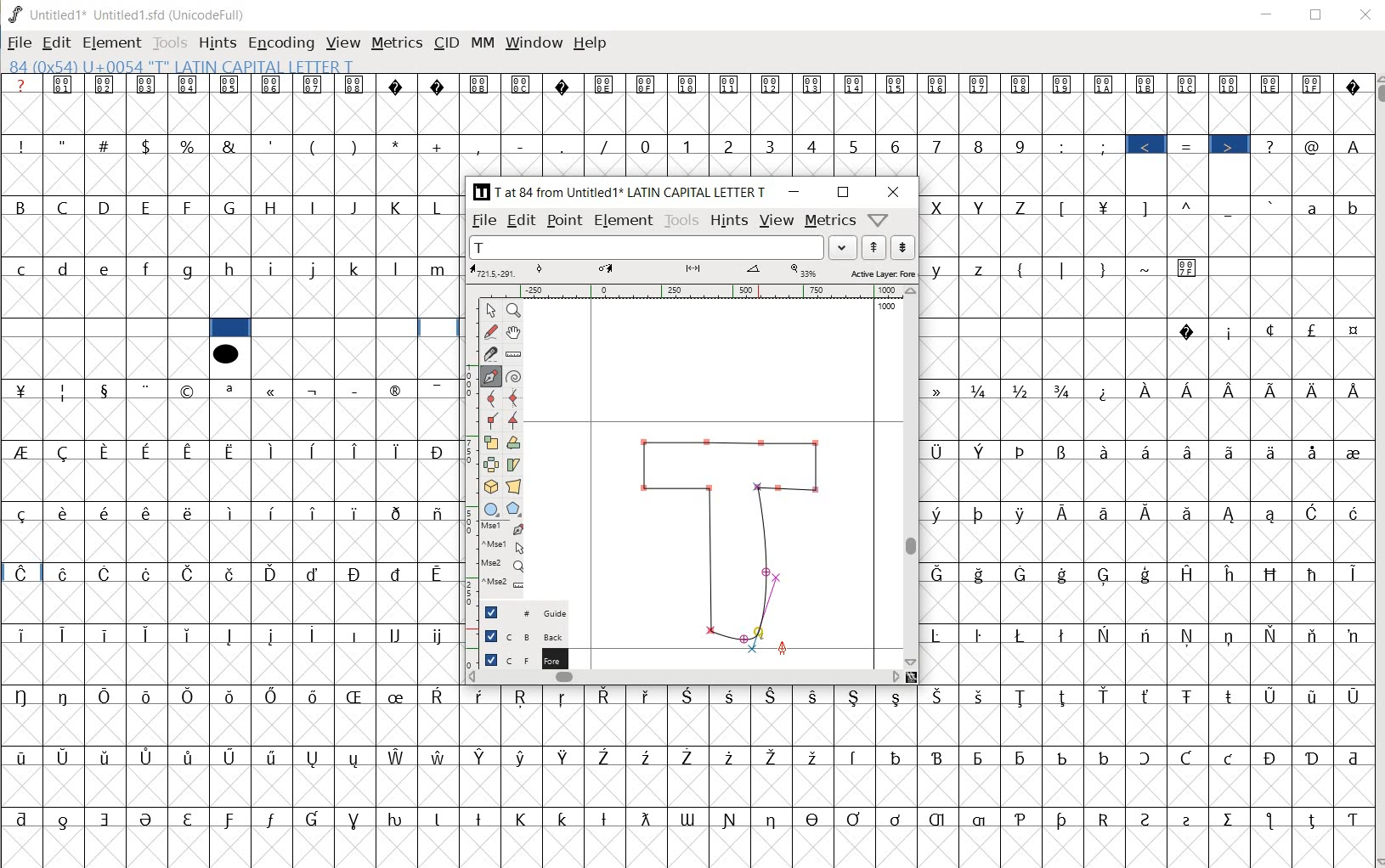 This screenshot has height=868, width=1385. Describe the element at coordinates (439, 756) in the screenshot. I see `Symbol` at that location.